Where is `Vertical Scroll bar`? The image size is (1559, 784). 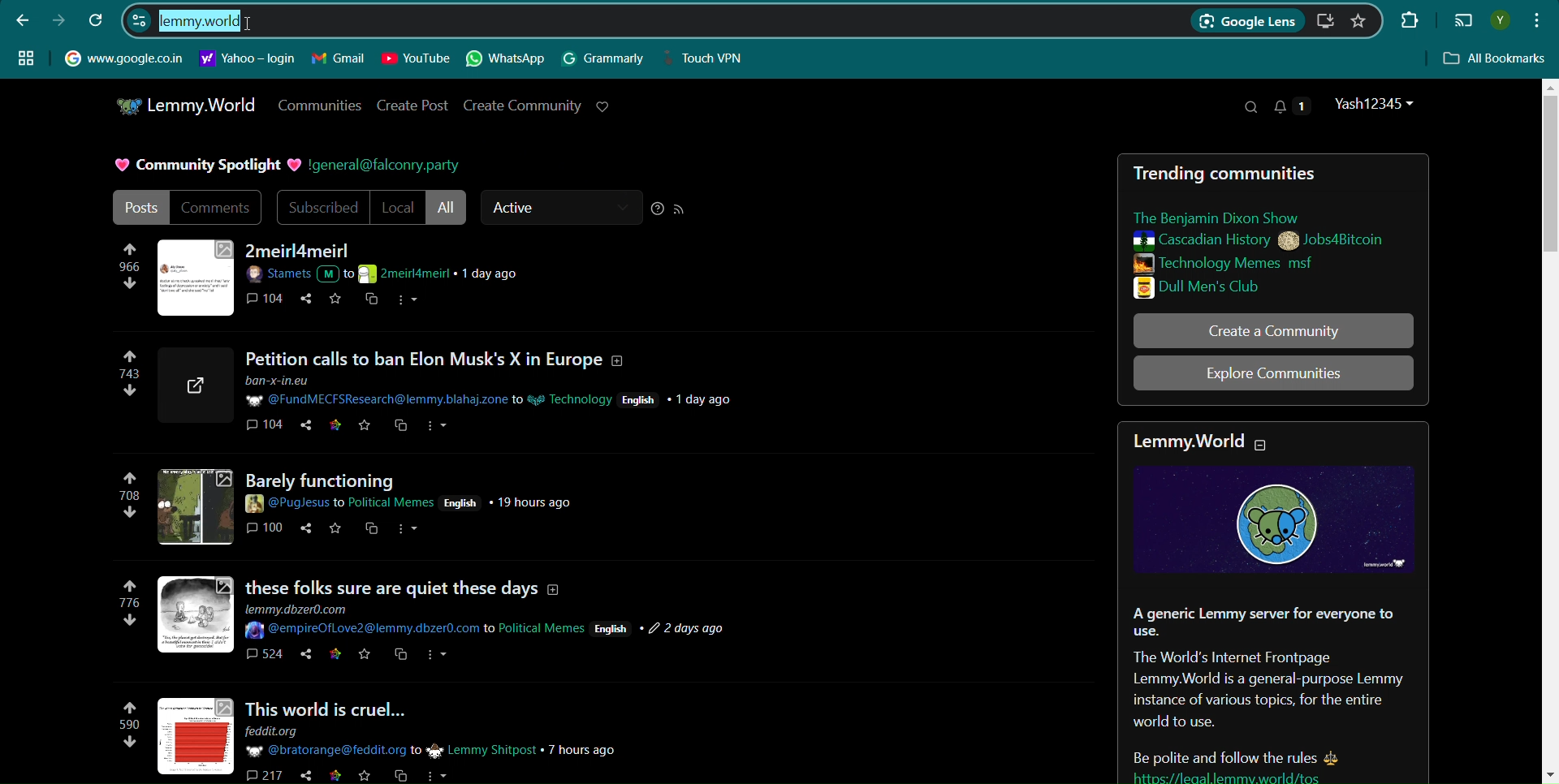
Vertical Scroll bar is located at coordinates (1548, 429).